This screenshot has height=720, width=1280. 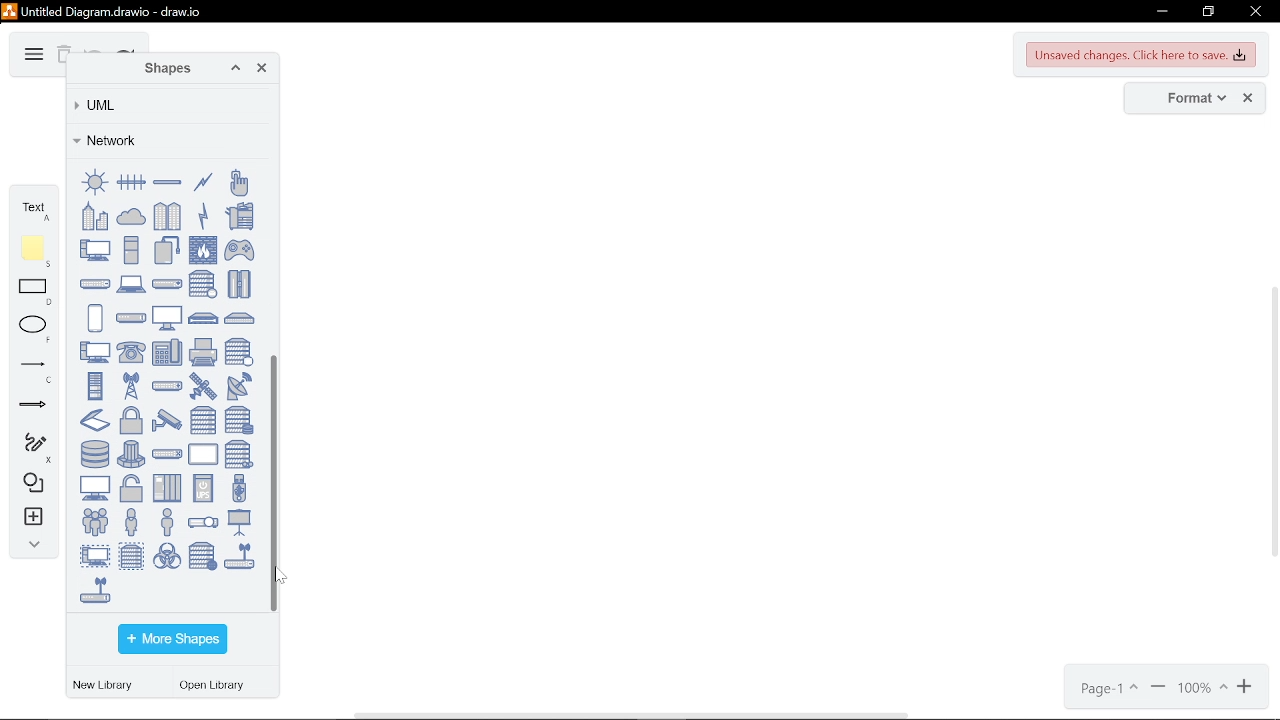 I want to click on collapse, so click(x=30, y=547).